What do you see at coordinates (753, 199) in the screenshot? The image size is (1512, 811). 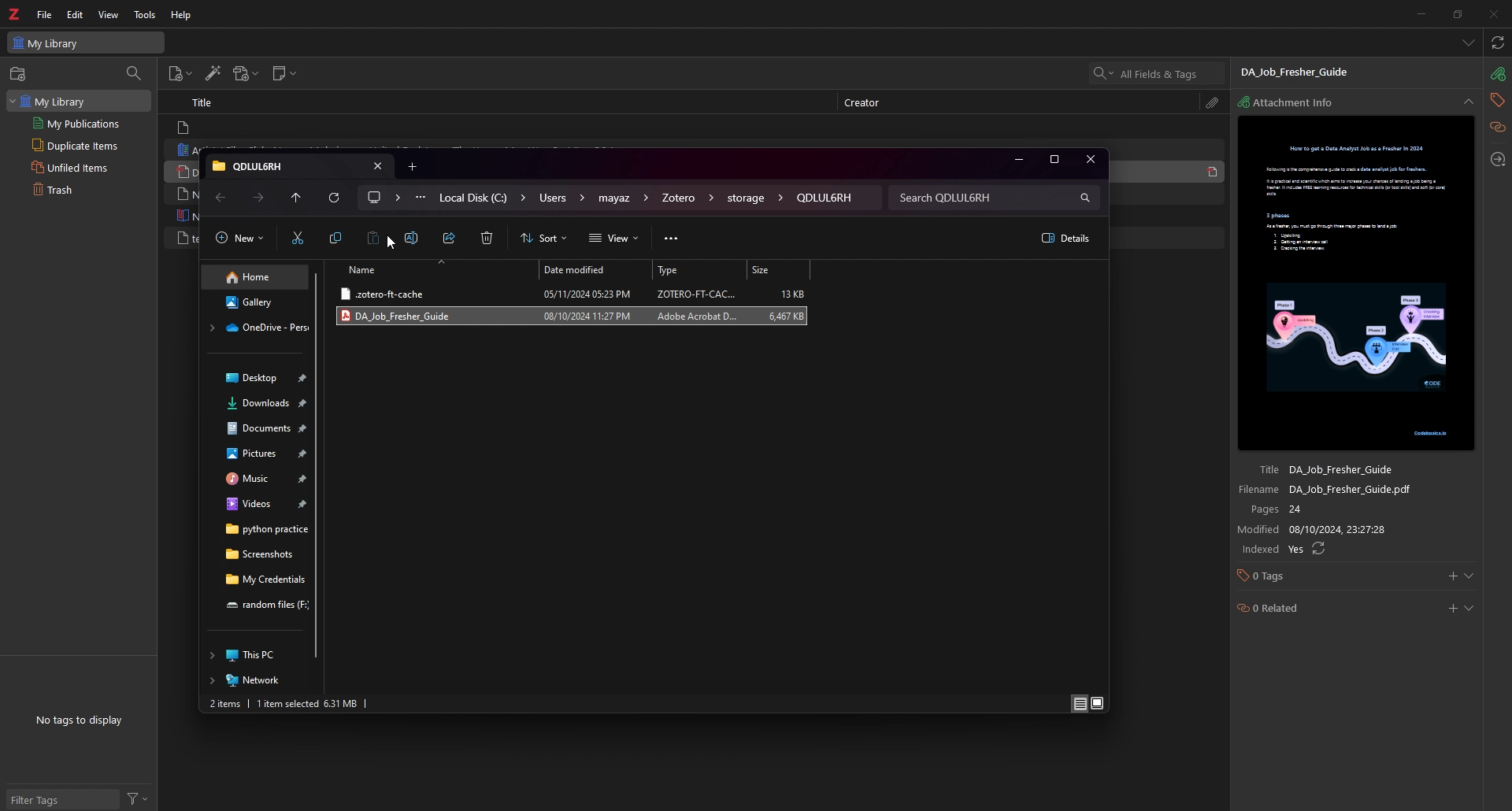 I see `storage` at bounding box center [753, 199].